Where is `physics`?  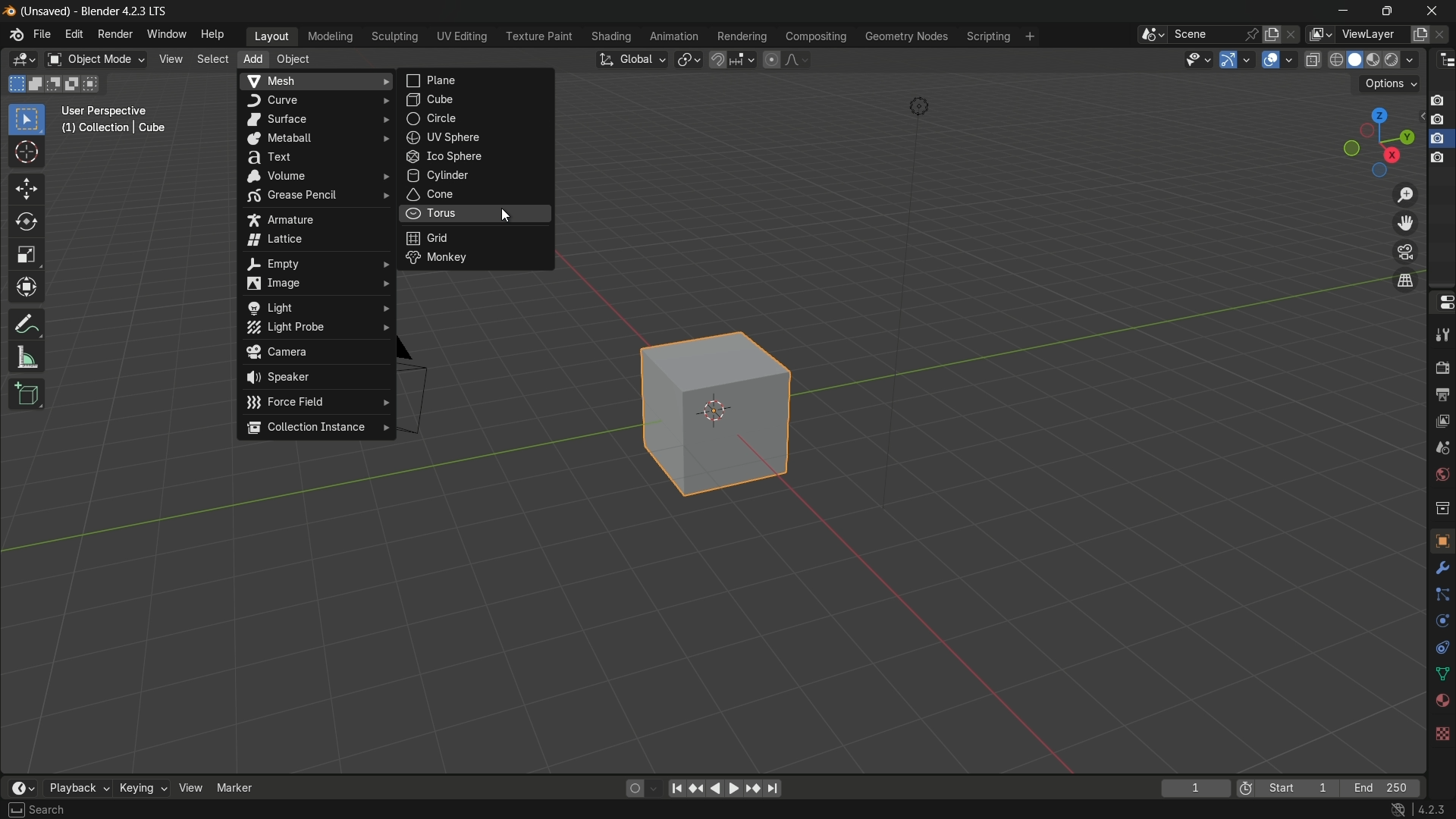 physics is located at coordinates (1441, 622).